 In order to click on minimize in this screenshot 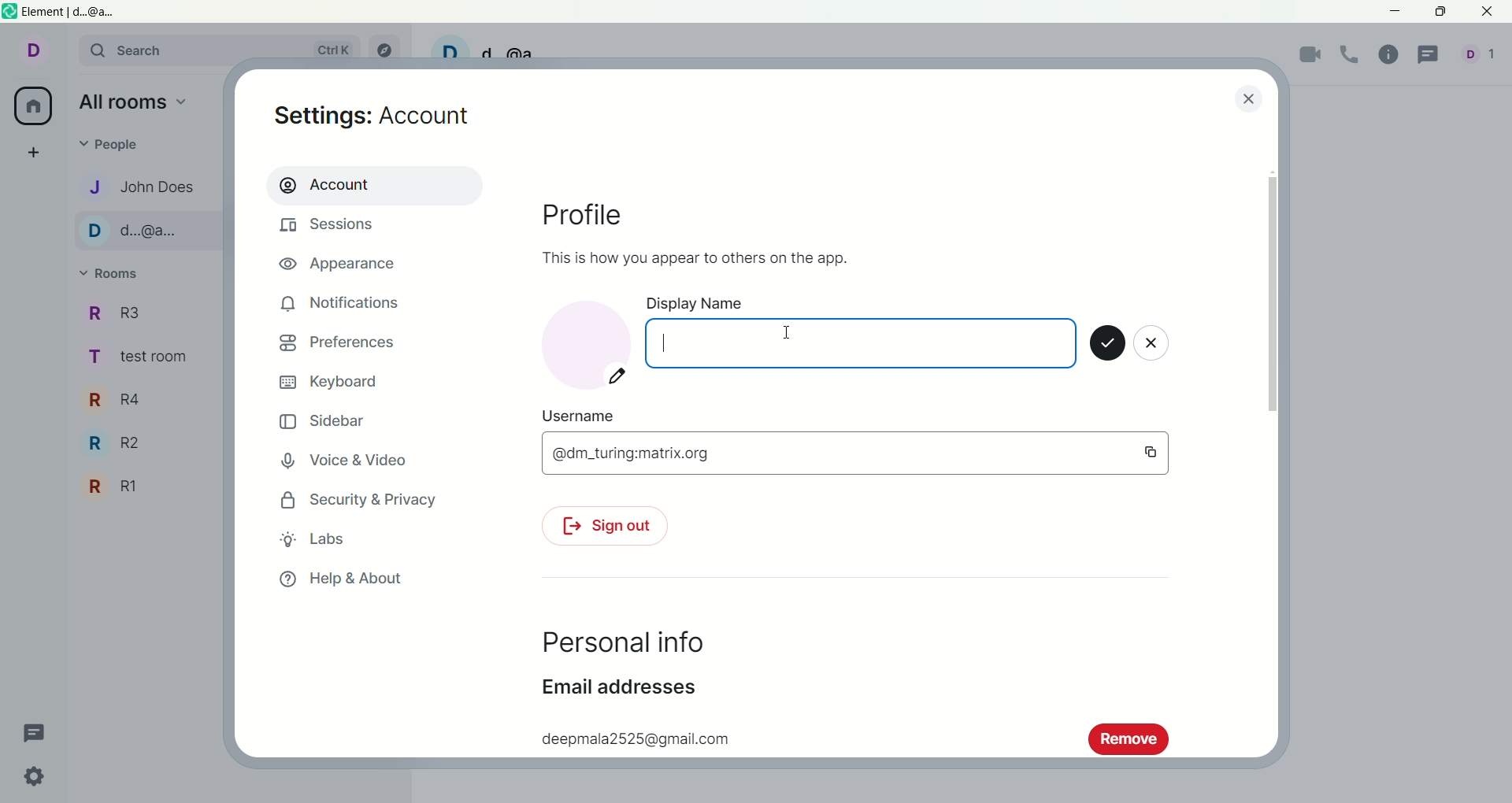, I will do `click(1396, 13)`.